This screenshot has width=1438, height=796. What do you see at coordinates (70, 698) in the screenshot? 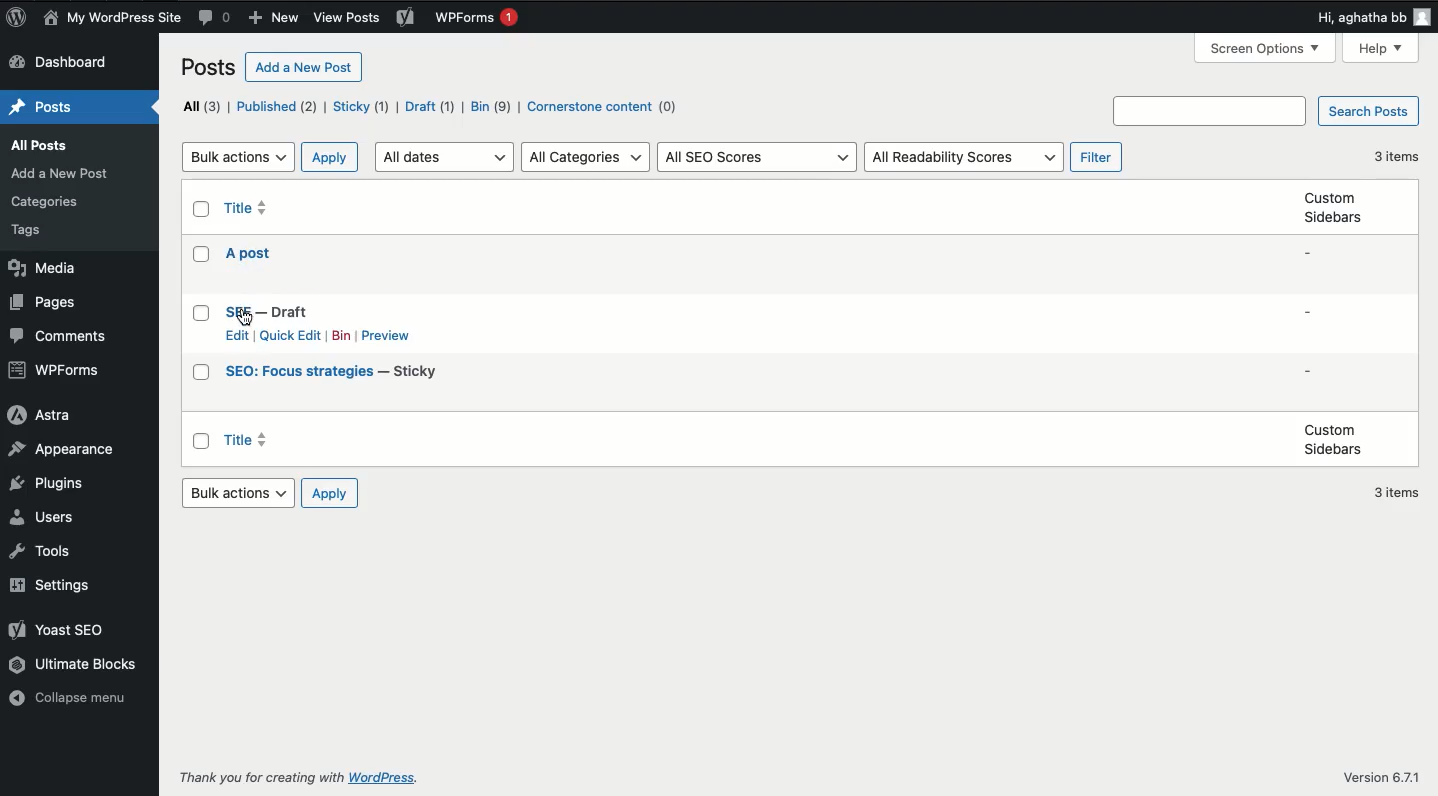
I see `Collapse menu` at bounding box center [70, 698].